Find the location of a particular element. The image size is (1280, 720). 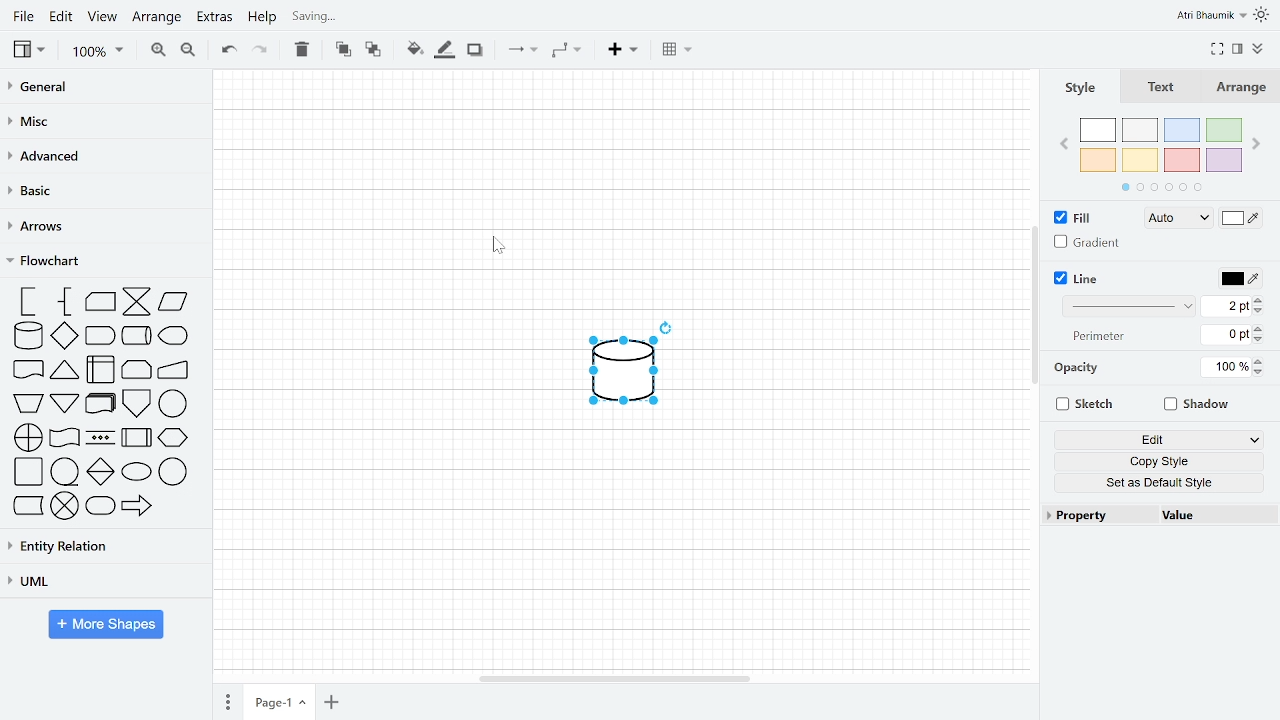

cursor is located at coordinates (502, 244).